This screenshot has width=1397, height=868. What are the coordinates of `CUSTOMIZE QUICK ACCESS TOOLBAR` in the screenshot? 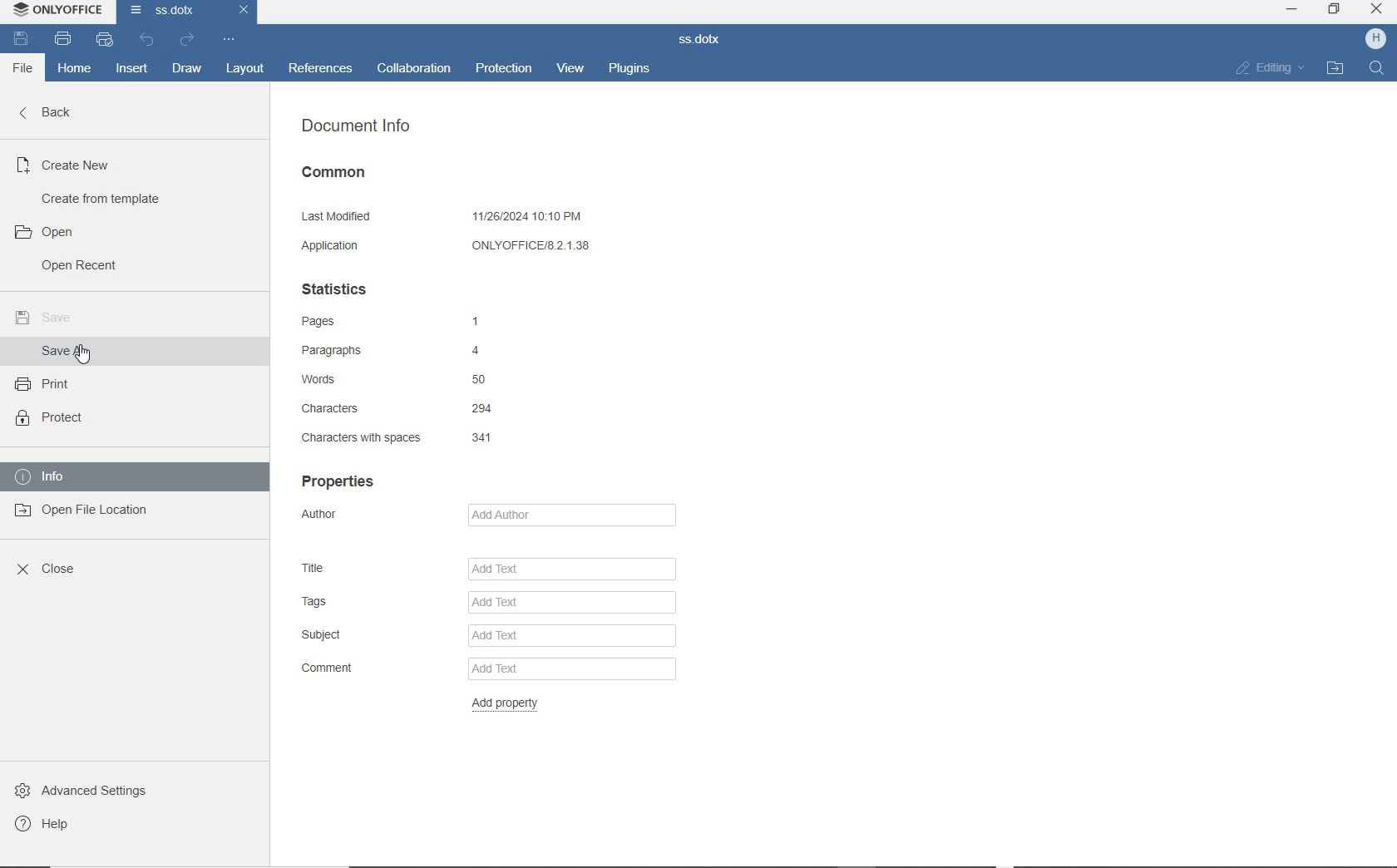 It's located at (228, 42).